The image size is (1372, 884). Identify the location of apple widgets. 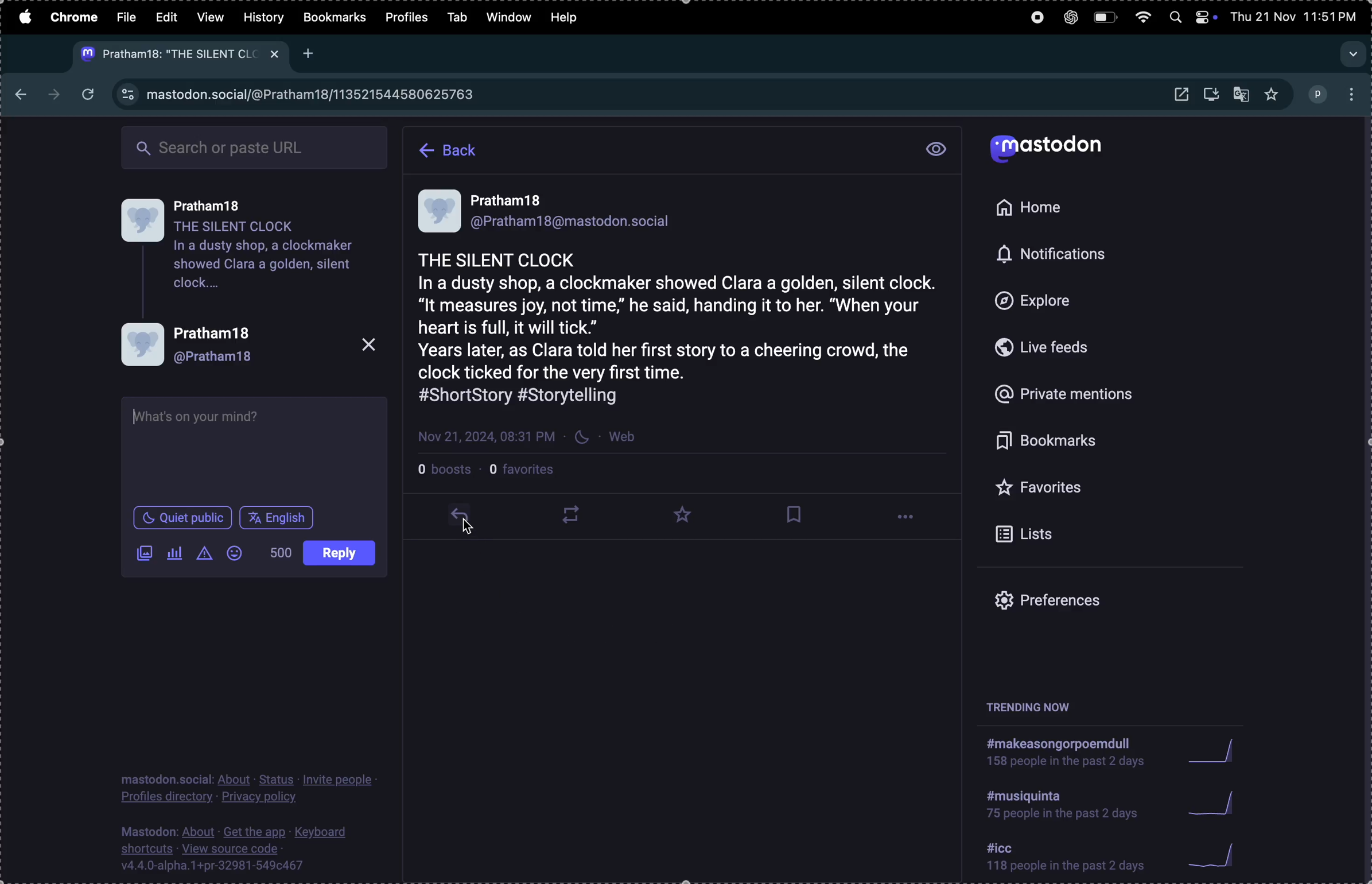
(1205, 15).